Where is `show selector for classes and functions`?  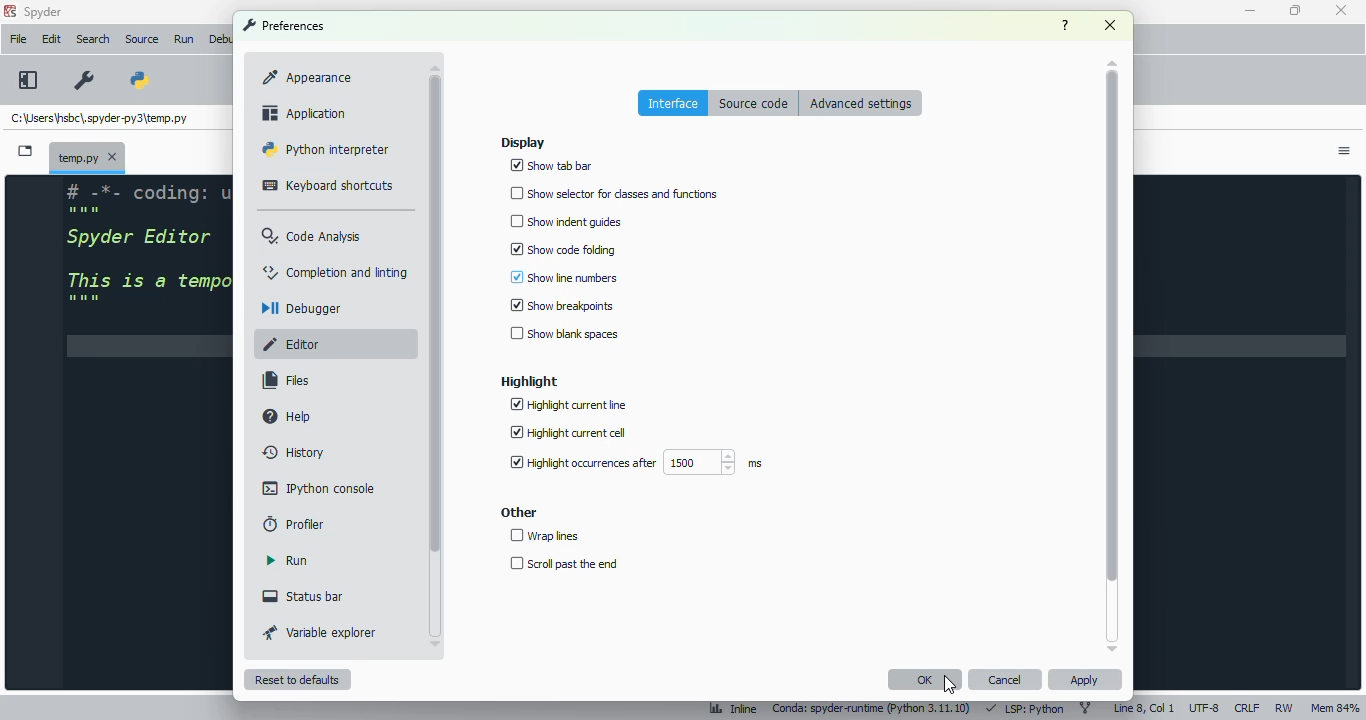
show selector for classes and functions is located at coordinates (615, 194).